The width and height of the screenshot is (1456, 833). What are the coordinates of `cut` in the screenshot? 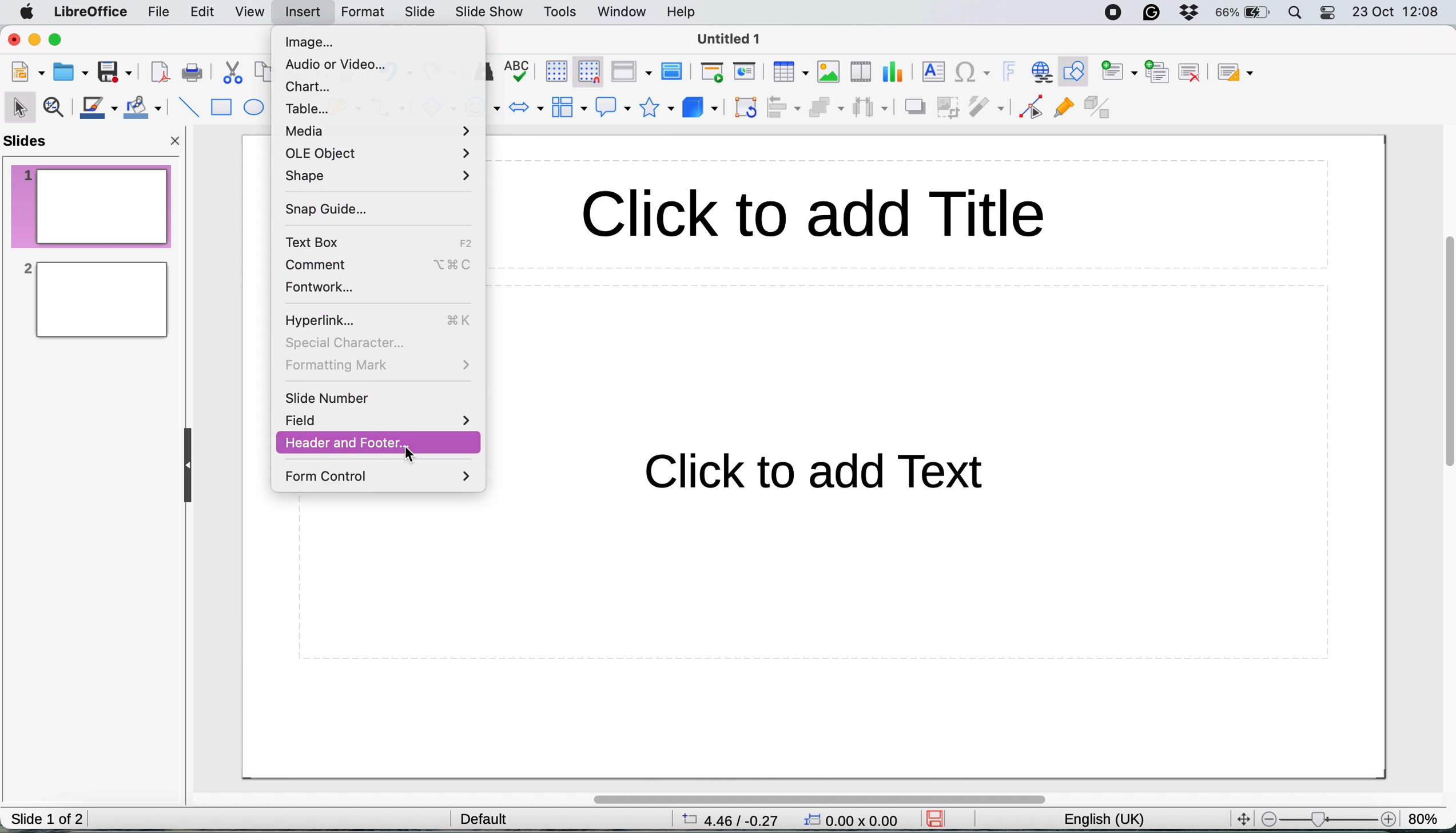 It's located at (234, 75).